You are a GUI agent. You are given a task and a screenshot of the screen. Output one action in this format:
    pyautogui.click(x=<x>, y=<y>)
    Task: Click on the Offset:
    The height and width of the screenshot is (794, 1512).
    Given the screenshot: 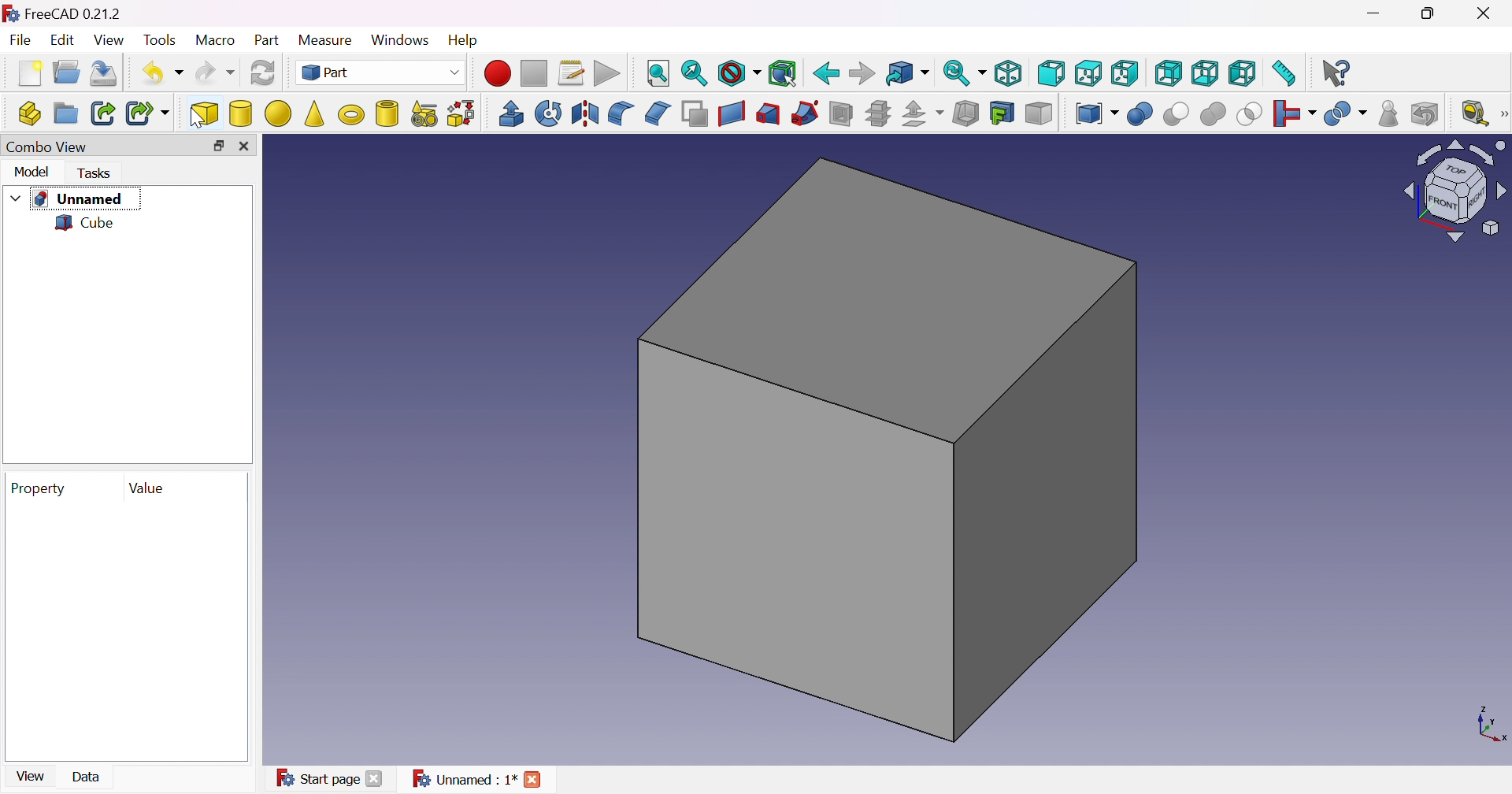 What is the action you would take?
    pyautogui.click(x=925, y=113)
    